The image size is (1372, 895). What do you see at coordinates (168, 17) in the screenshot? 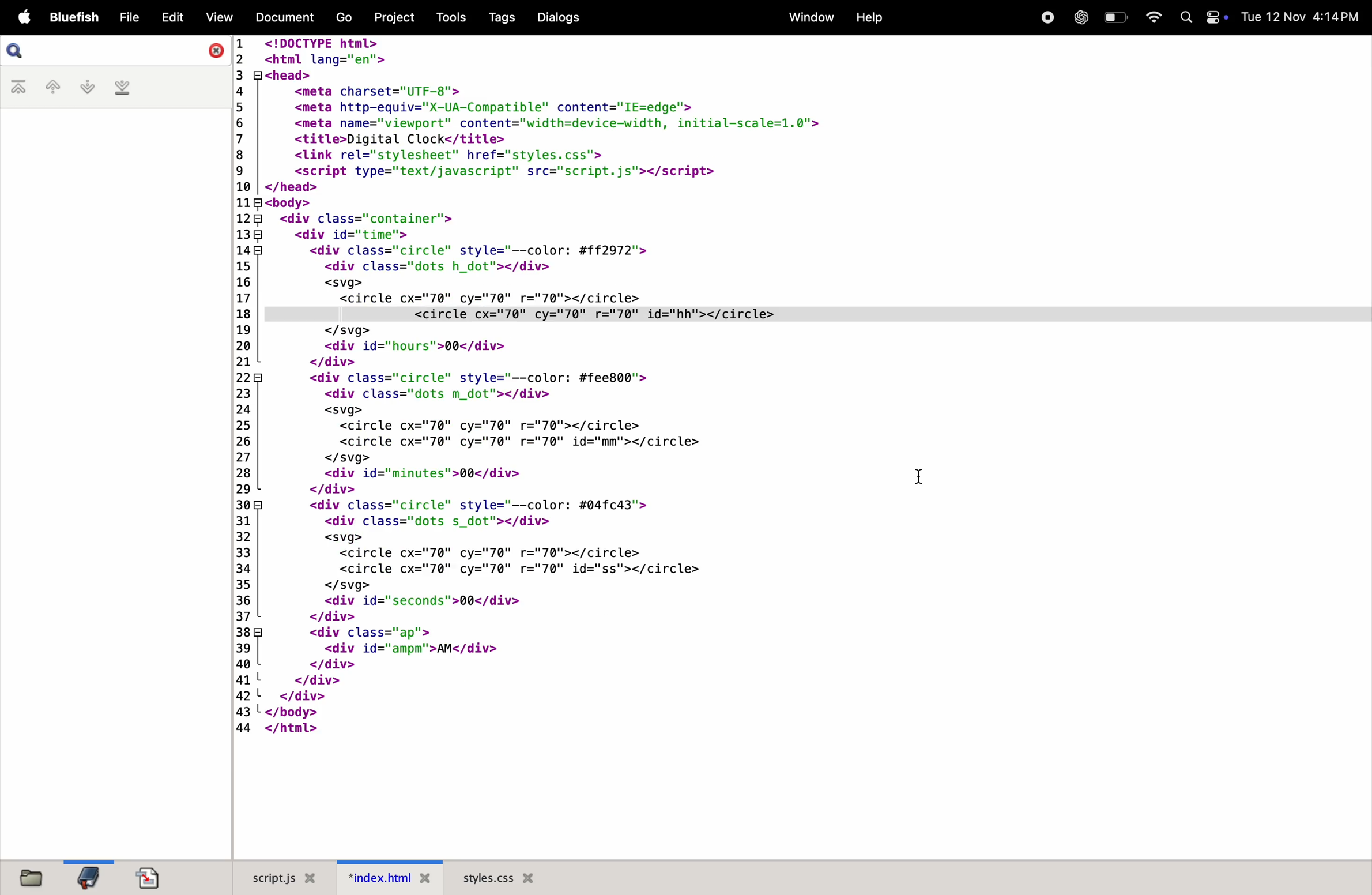
I see `edit` at bounding box center [168, 17].